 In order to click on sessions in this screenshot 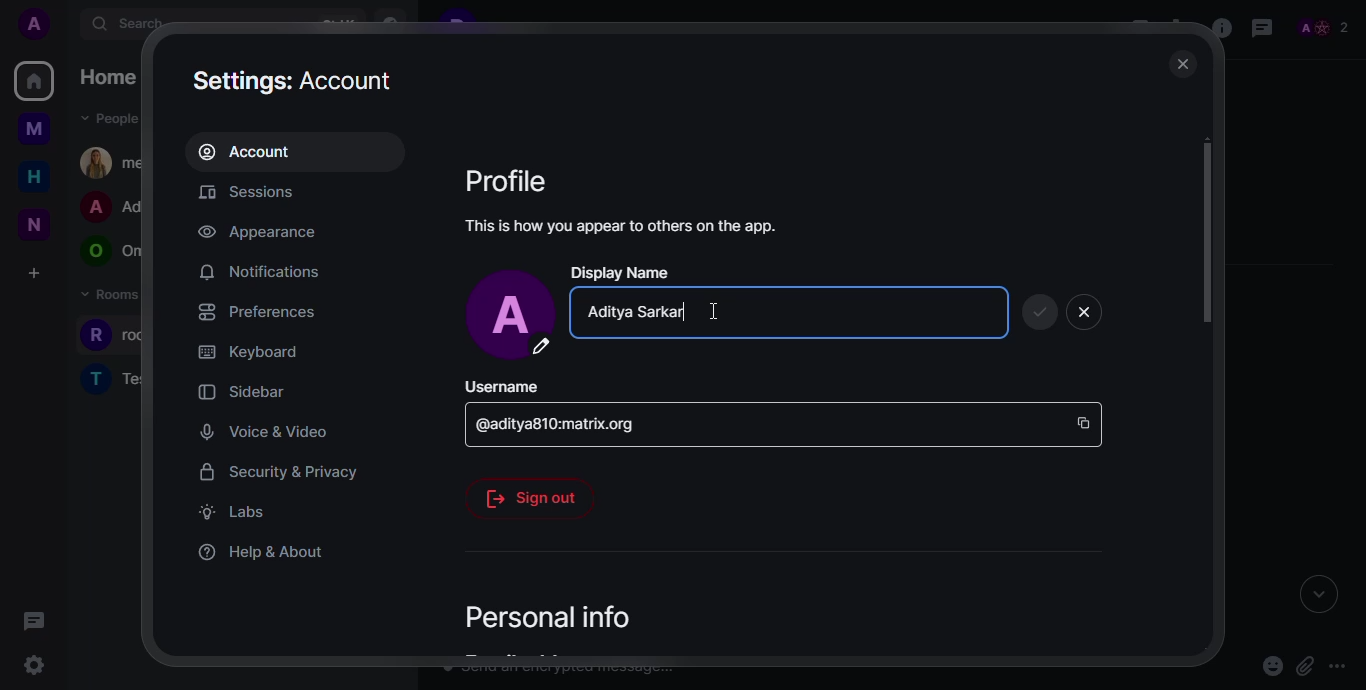, I will do `click(258, 194)`.